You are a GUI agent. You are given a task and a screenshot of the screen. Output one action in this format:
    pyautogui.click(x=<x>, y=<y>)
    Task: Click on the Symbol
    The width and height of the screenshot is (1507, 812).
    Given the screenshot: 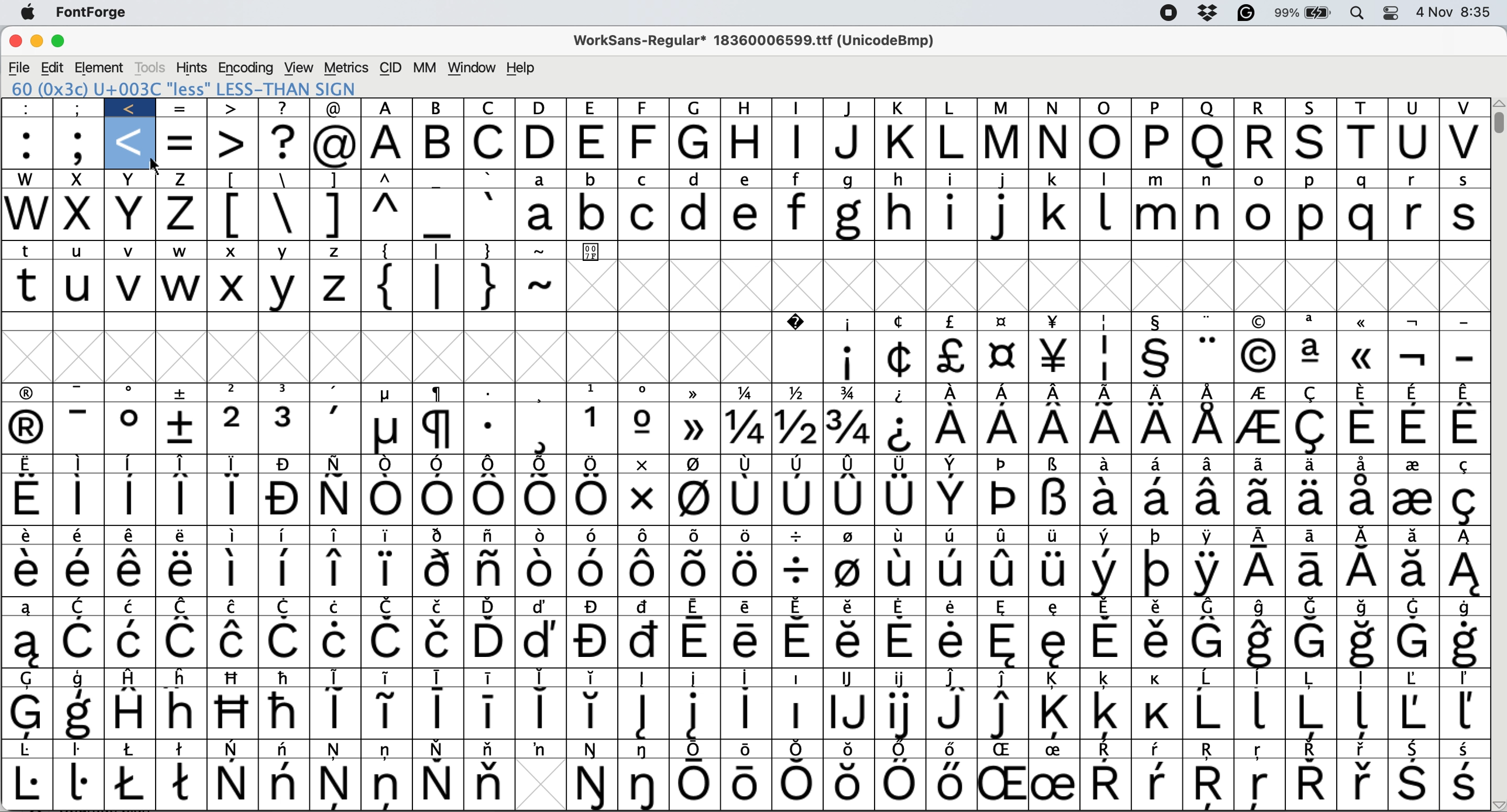 What is the action you would take?
    pyautogui.click(x=386, y=570)
    